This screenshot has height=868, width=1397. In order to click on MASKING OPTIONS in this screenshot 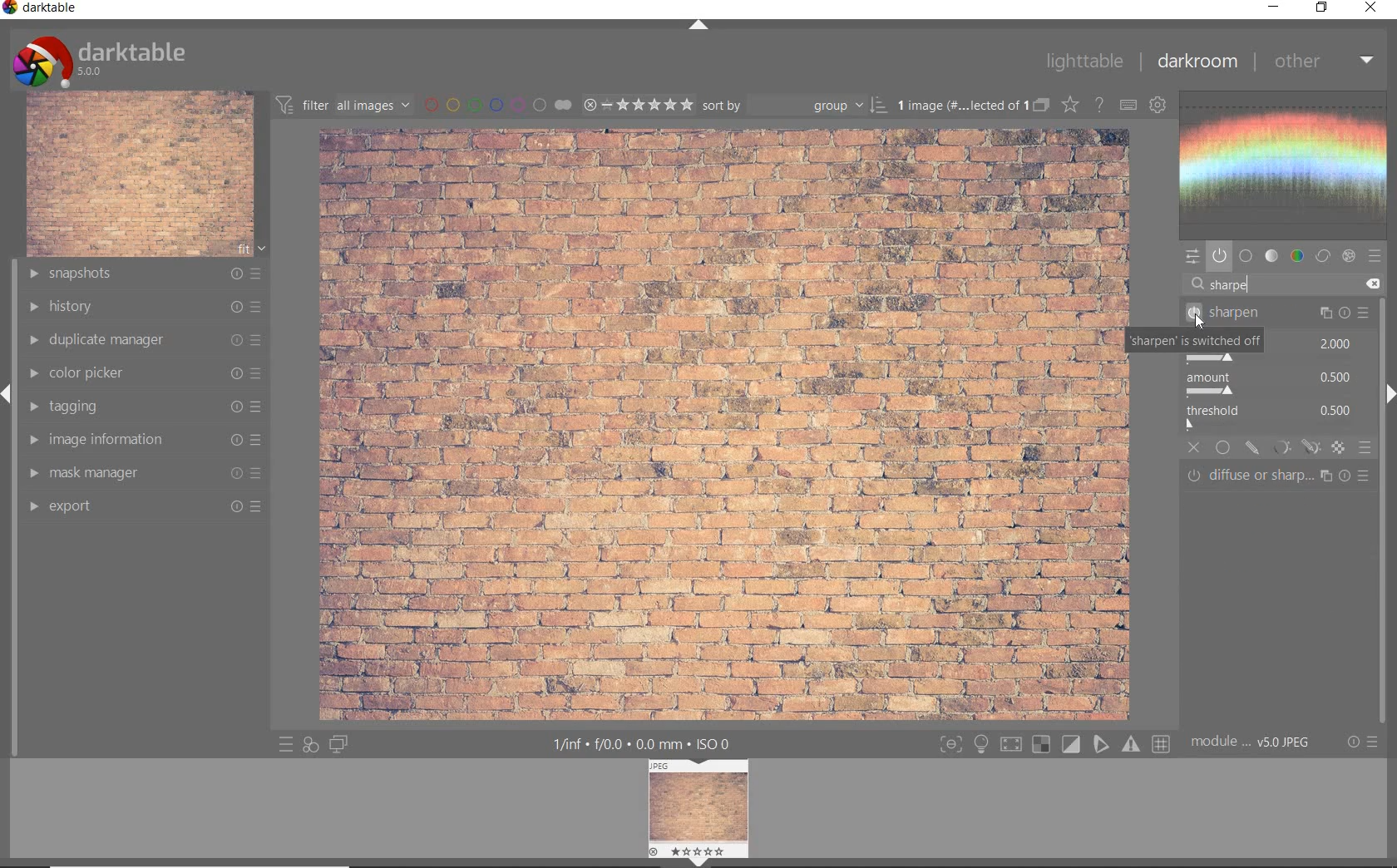, I will do `click(1293, 448)`.